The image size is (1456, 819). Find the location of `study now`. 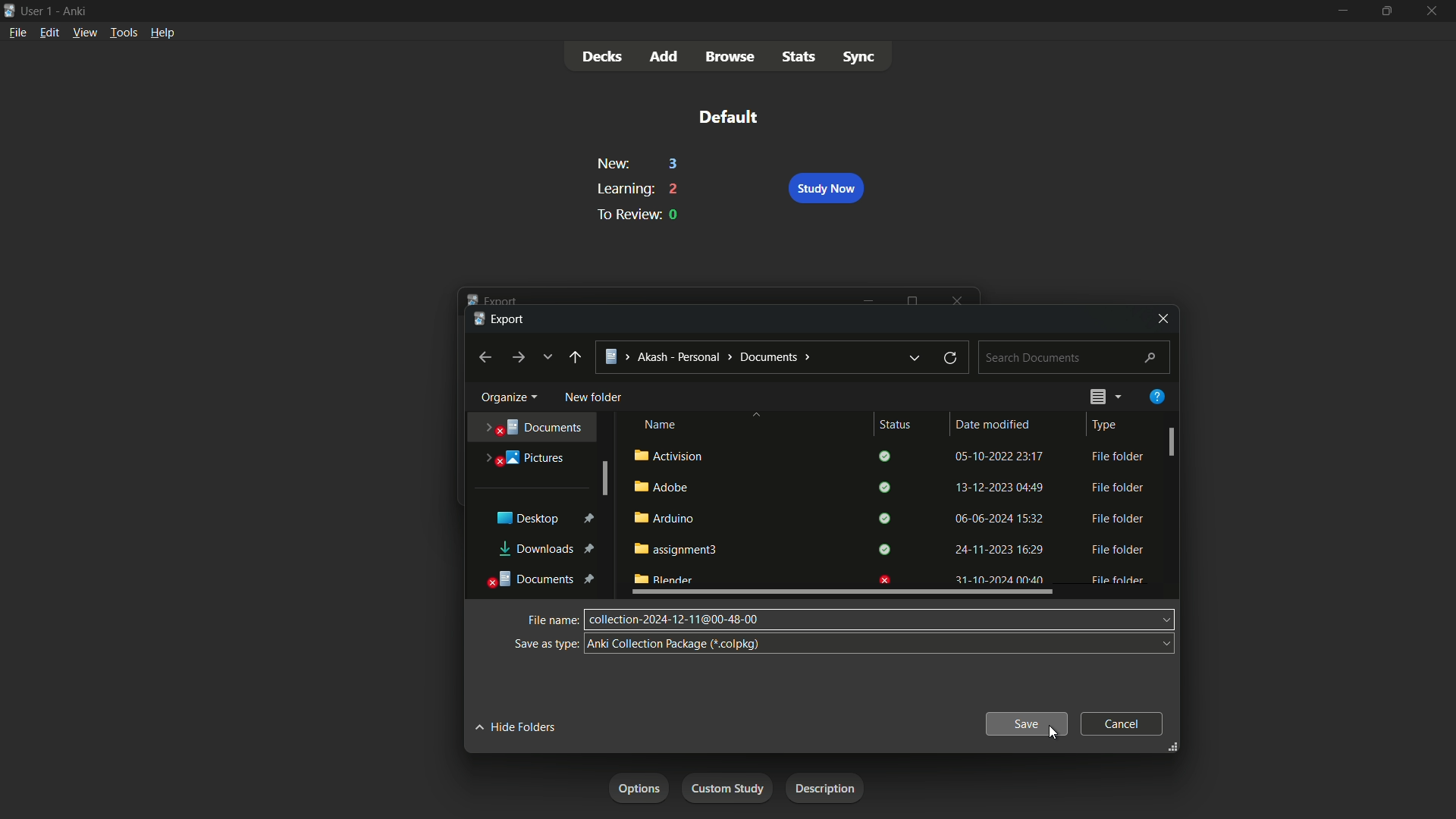

study now is located at coordinates (825, 189).